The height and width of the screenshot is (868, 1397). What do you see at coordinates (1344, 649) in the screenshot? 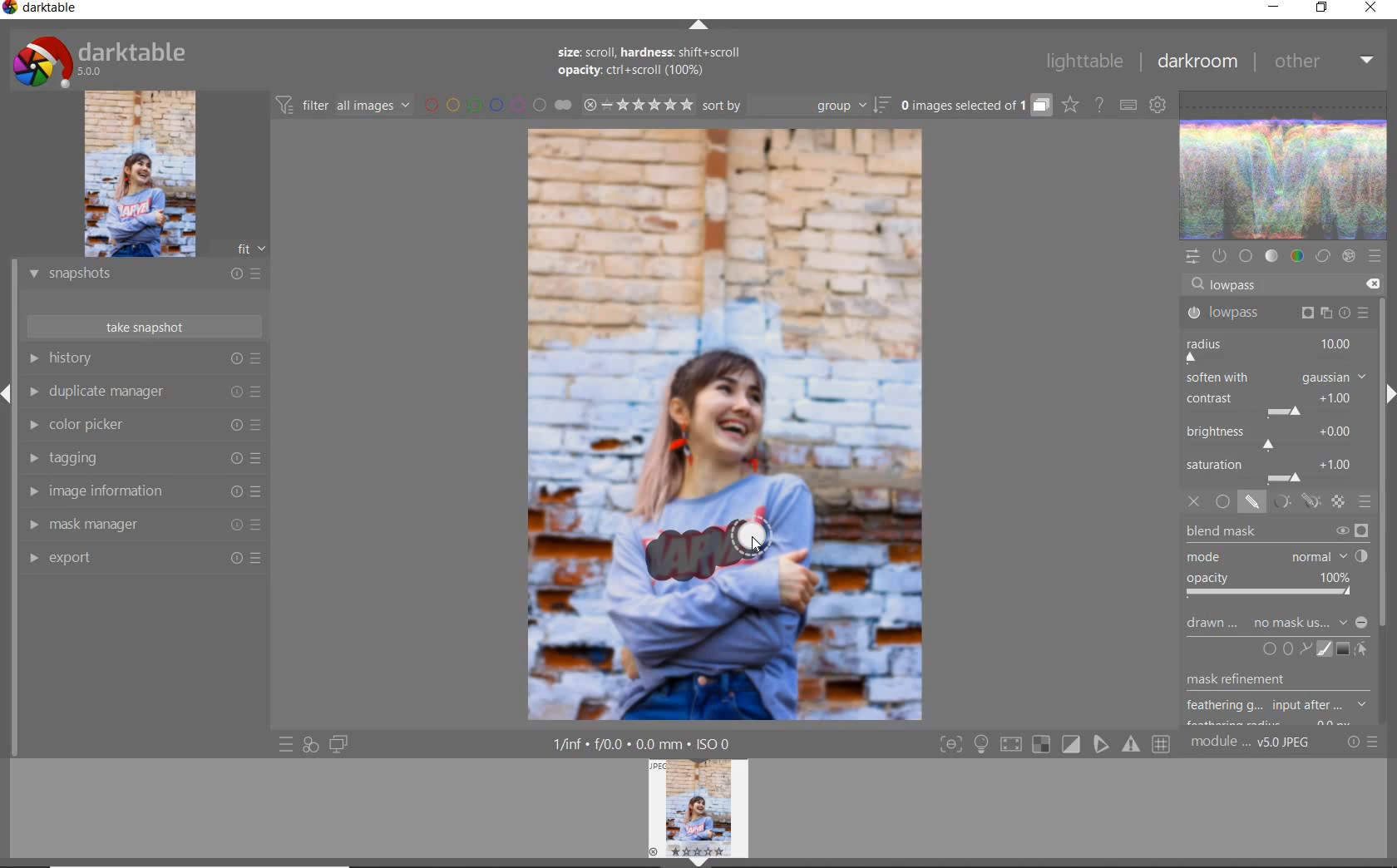
I see `add gradient` at bounding box center [1344, 649].